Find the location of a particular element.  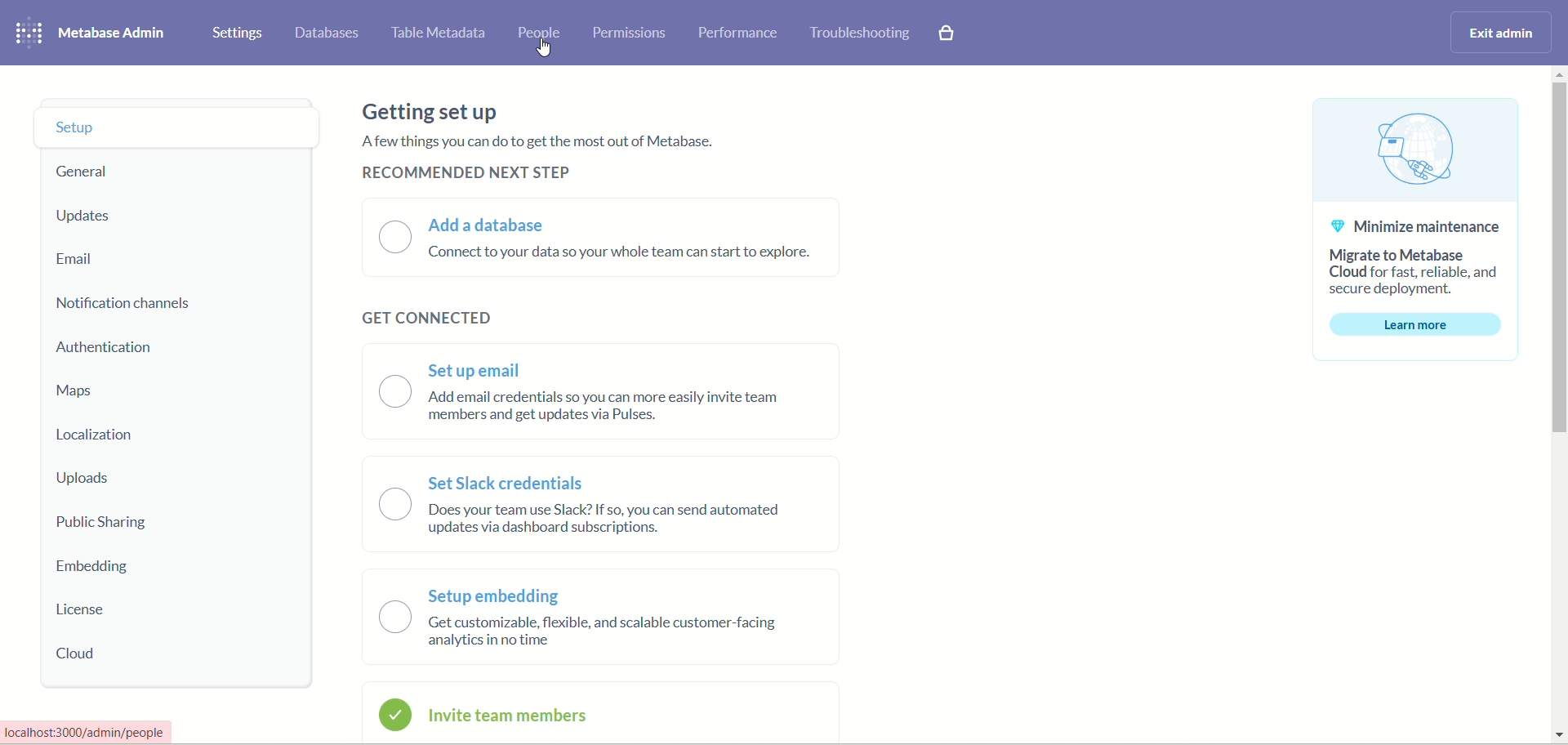

paid features is located at coordinates (951, 33).